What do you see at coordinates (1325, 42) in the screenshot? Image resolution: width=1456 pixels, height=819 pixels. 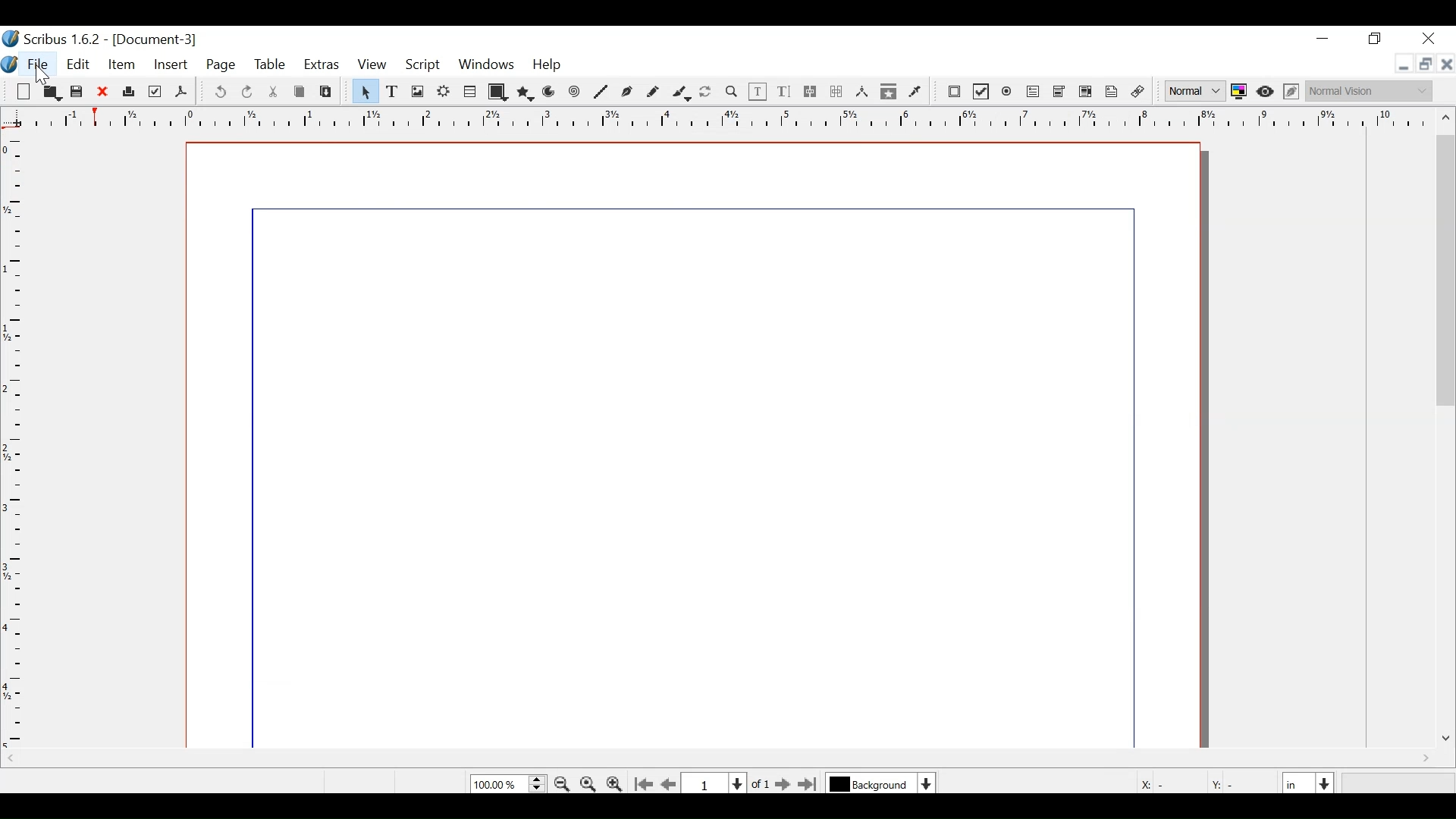 I see `minimize` at bounding box center [1325, 42].